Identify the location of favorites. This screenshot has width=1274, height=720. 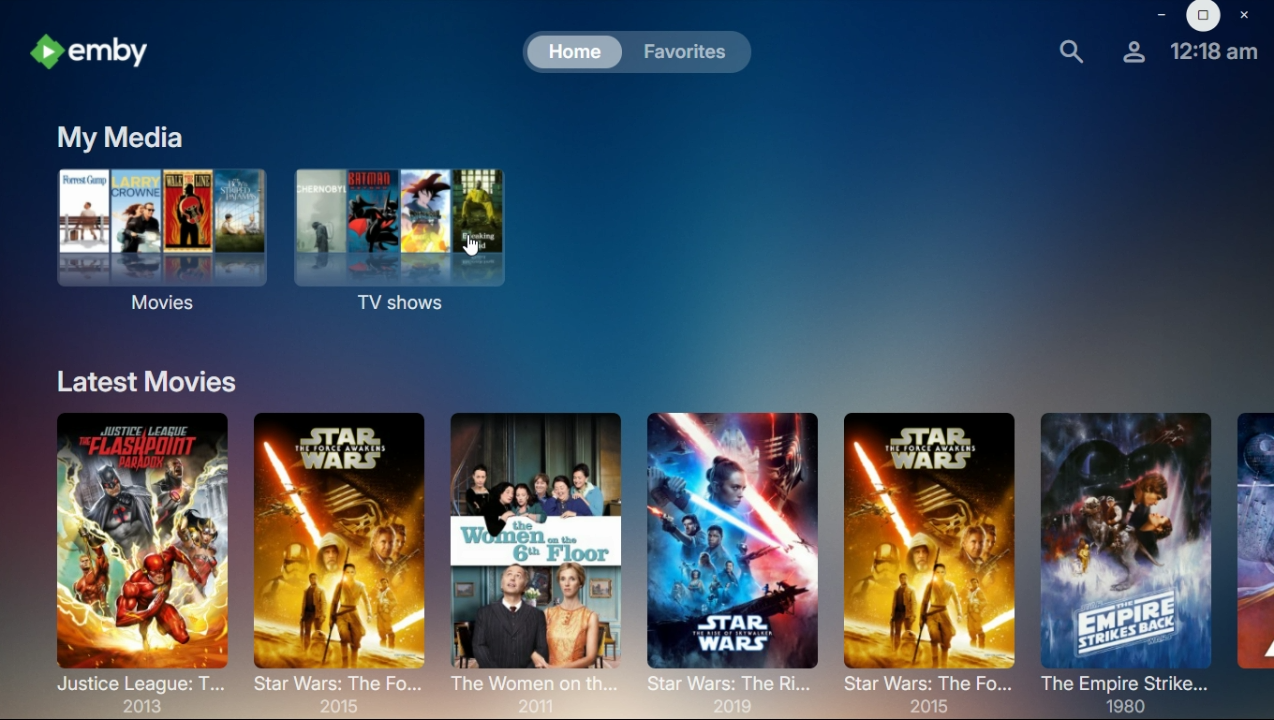
(692, 53).